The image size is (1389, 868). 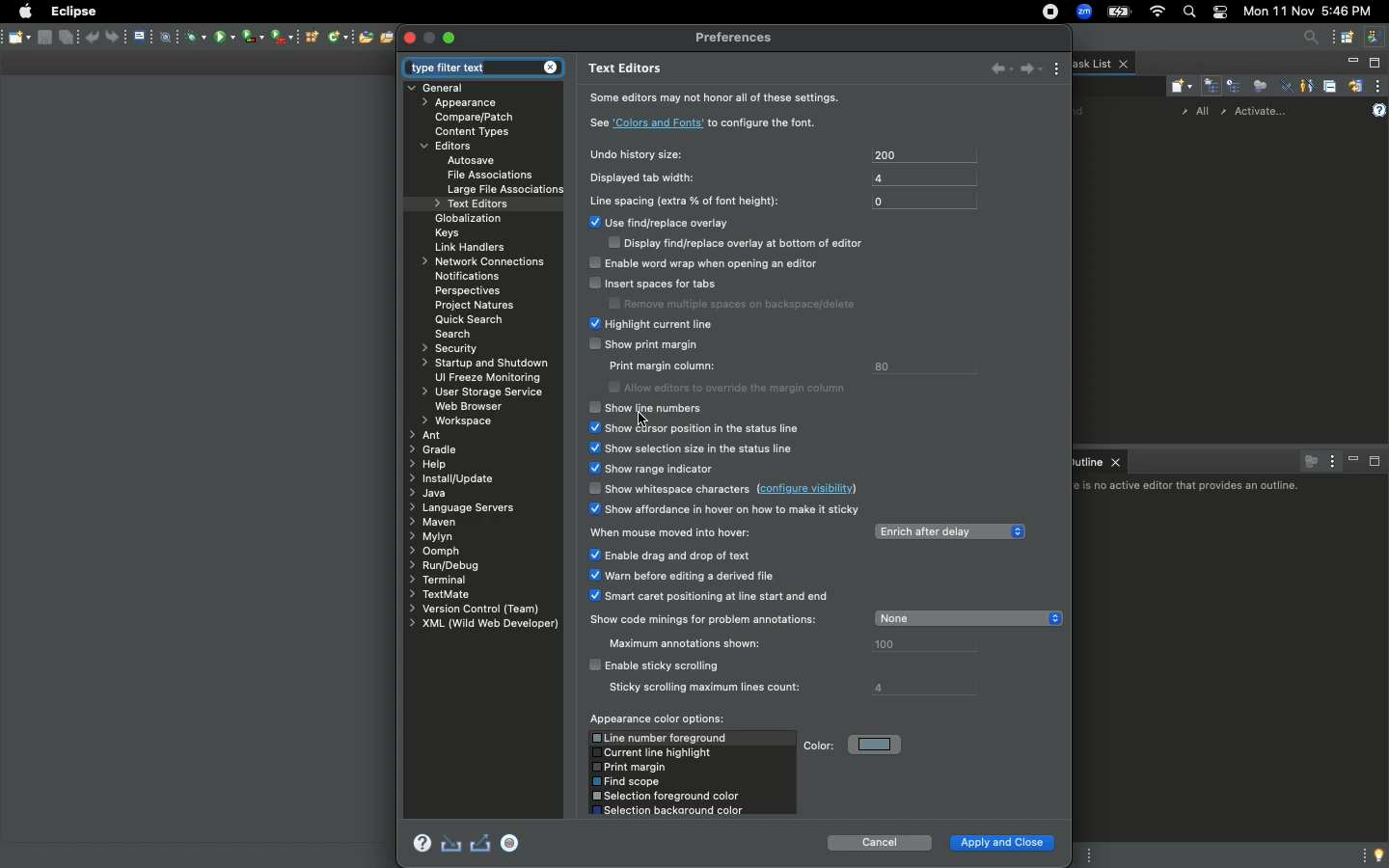 I want to click on Forward, so click(x=120, y=37).